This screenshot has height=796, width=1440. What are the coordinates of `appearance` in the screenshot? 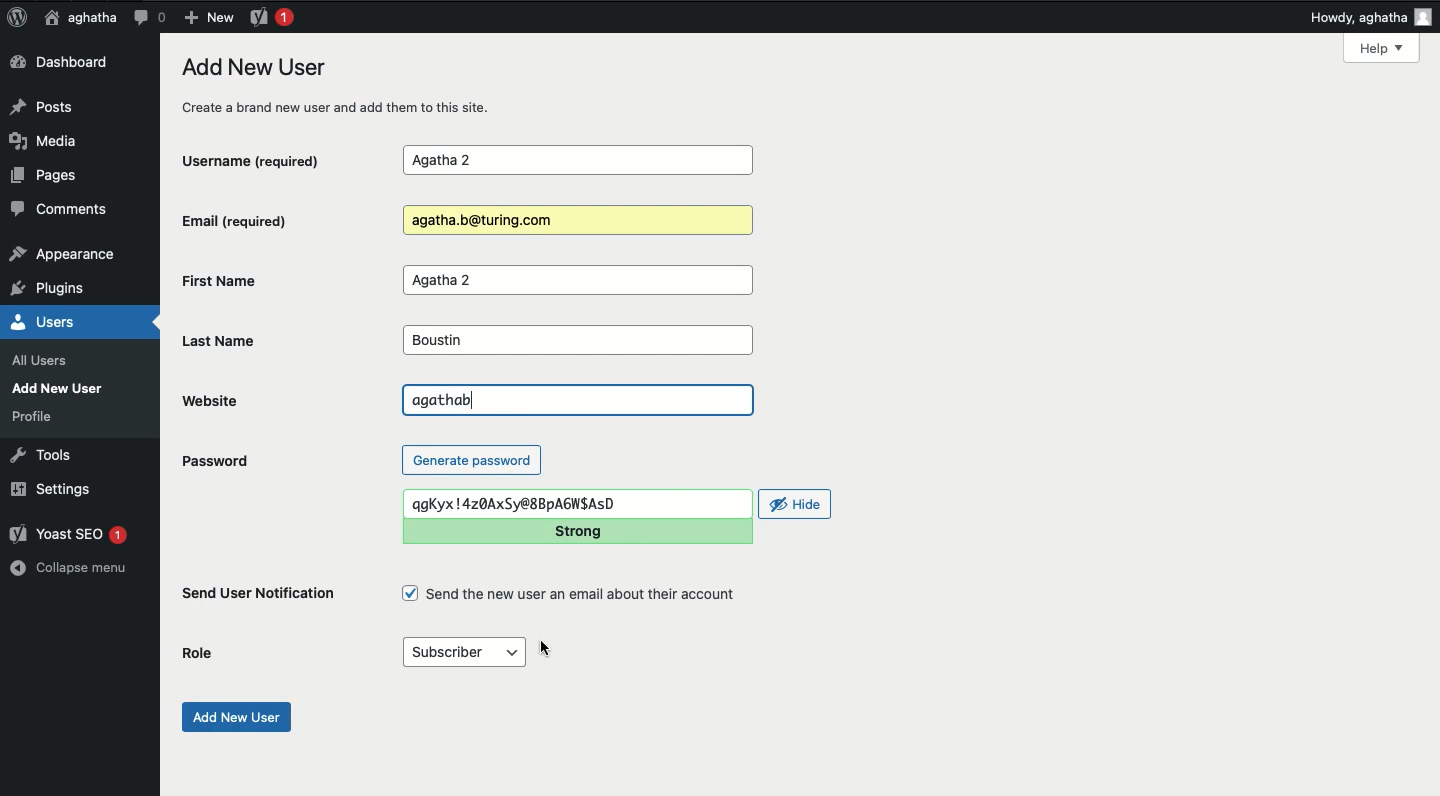 It's located at (63, 256).